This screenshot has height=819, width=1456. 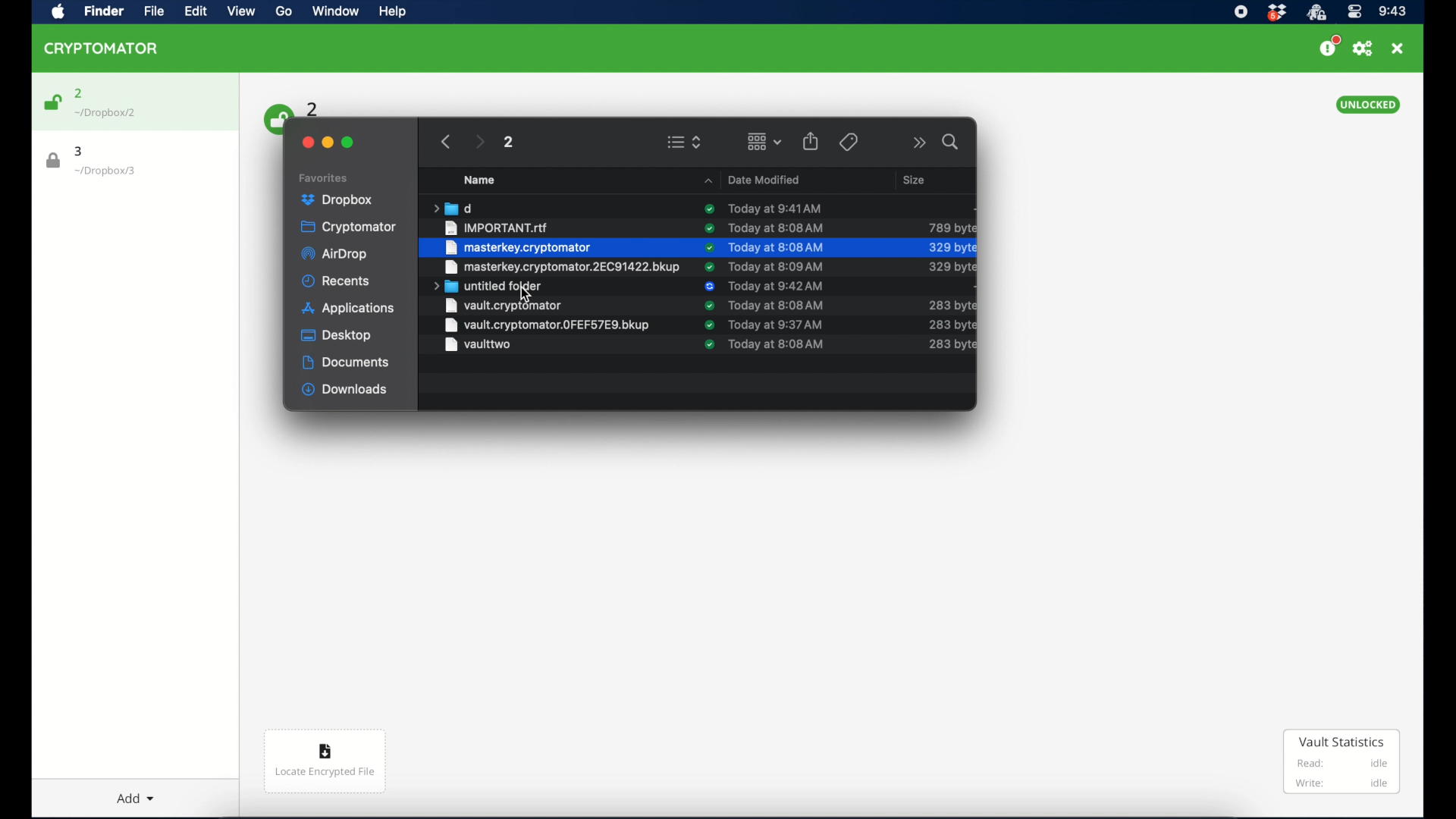 I want to click on important, so click(x=498, y=227).